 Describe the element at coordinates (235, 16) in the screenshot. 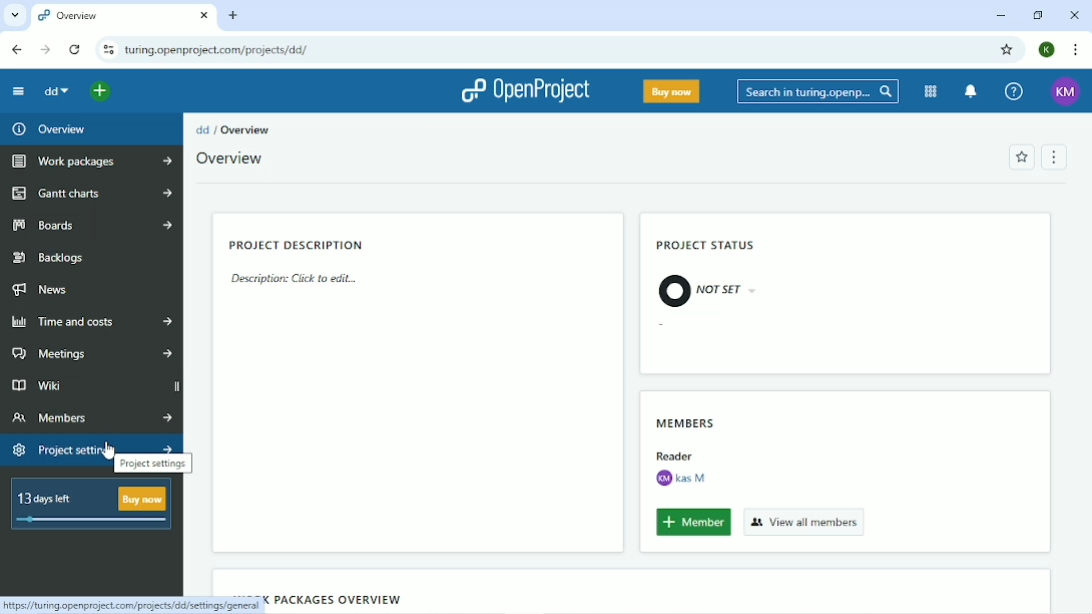

I see `New tab` at that location.